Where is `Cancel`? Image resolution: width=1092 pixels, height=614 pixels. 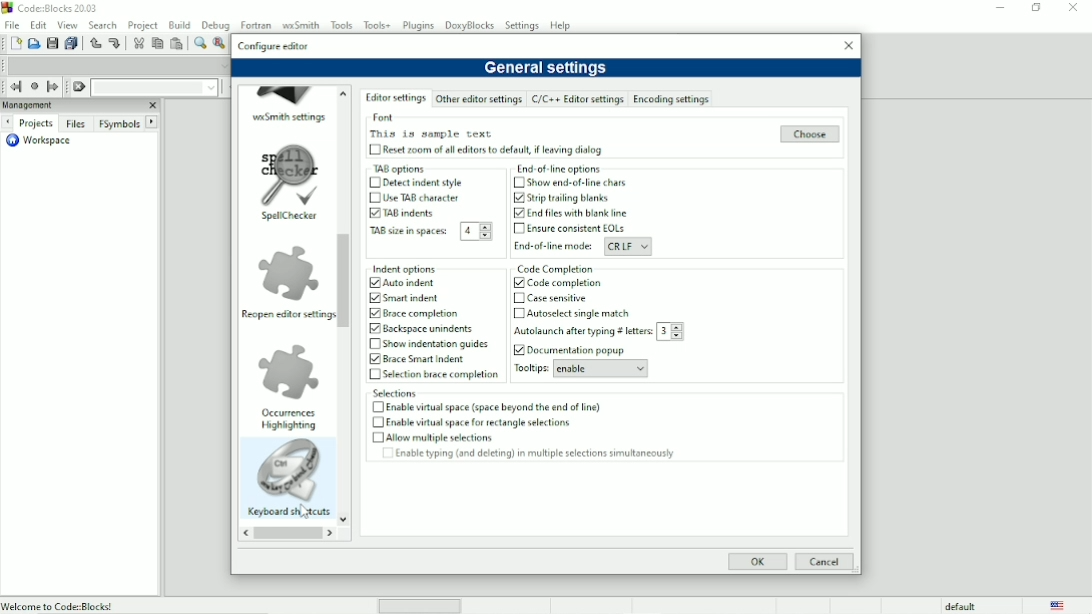
Cancel is located at coordinates (824, 562).